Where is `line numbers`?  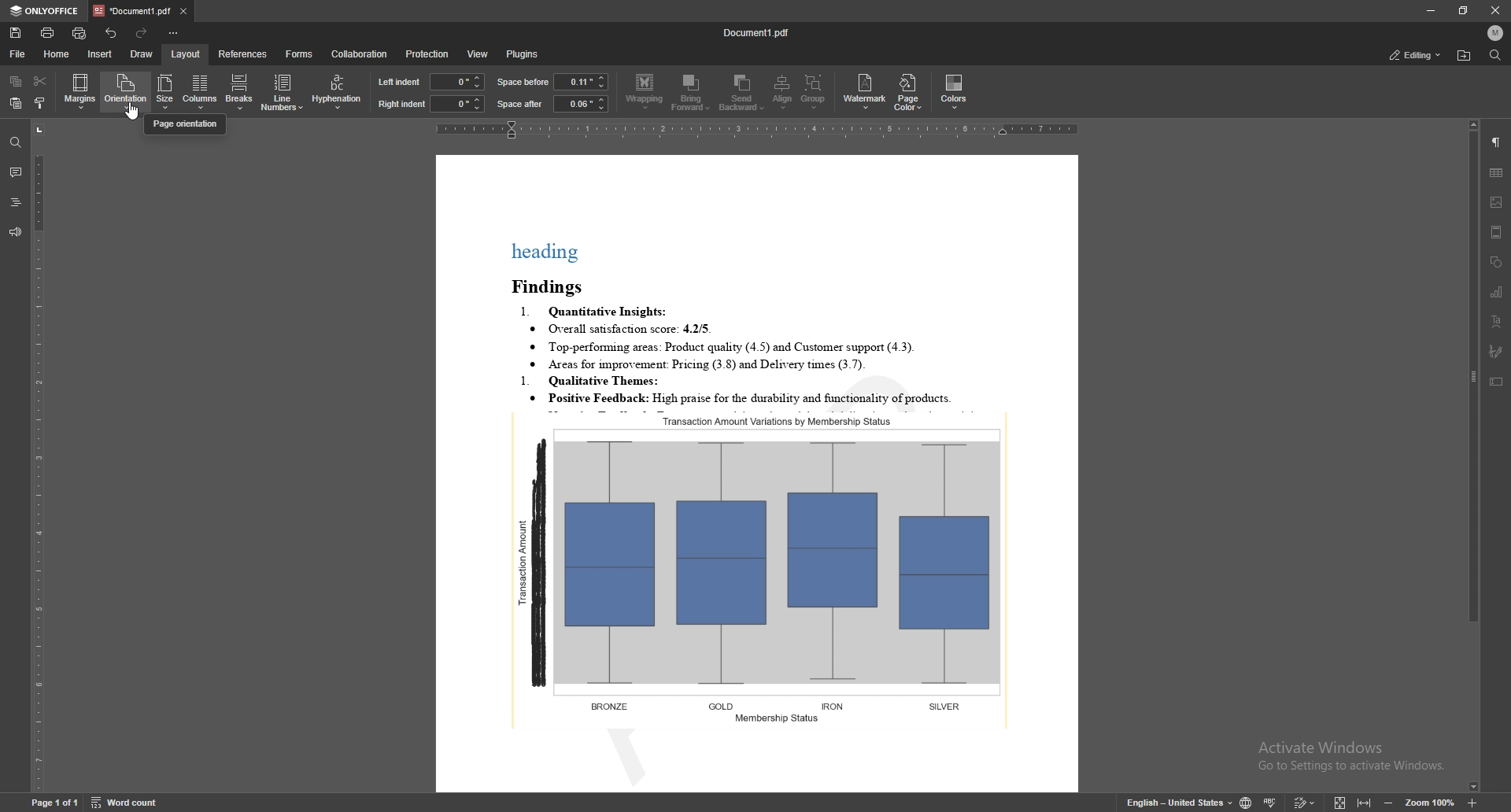 line numbers is located at coordinates (283, 92).